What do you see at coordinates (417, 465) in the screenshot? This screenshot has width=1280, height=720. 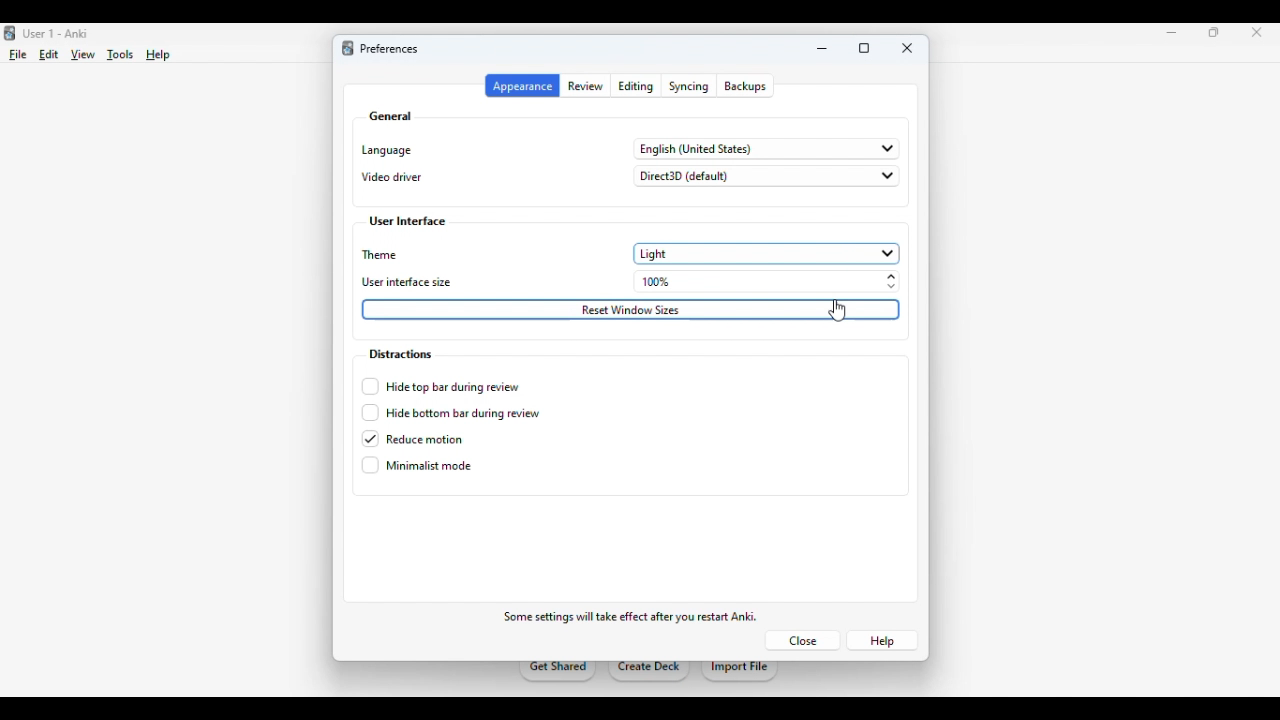 I see `minimalist mode` at bounding box center [417, 465].